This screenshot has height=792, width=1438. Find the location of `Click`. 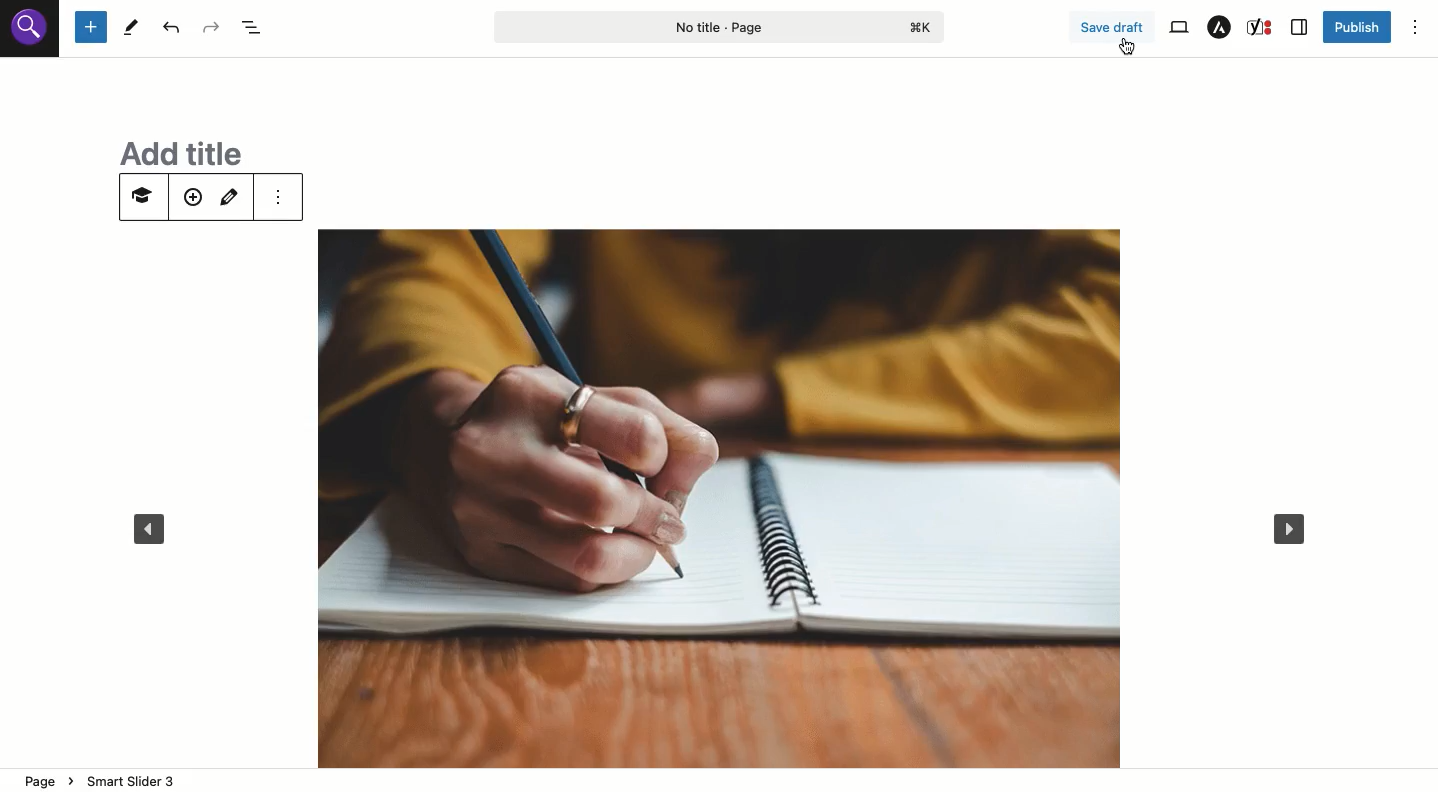

Click is located at coordinates (1127, 44).